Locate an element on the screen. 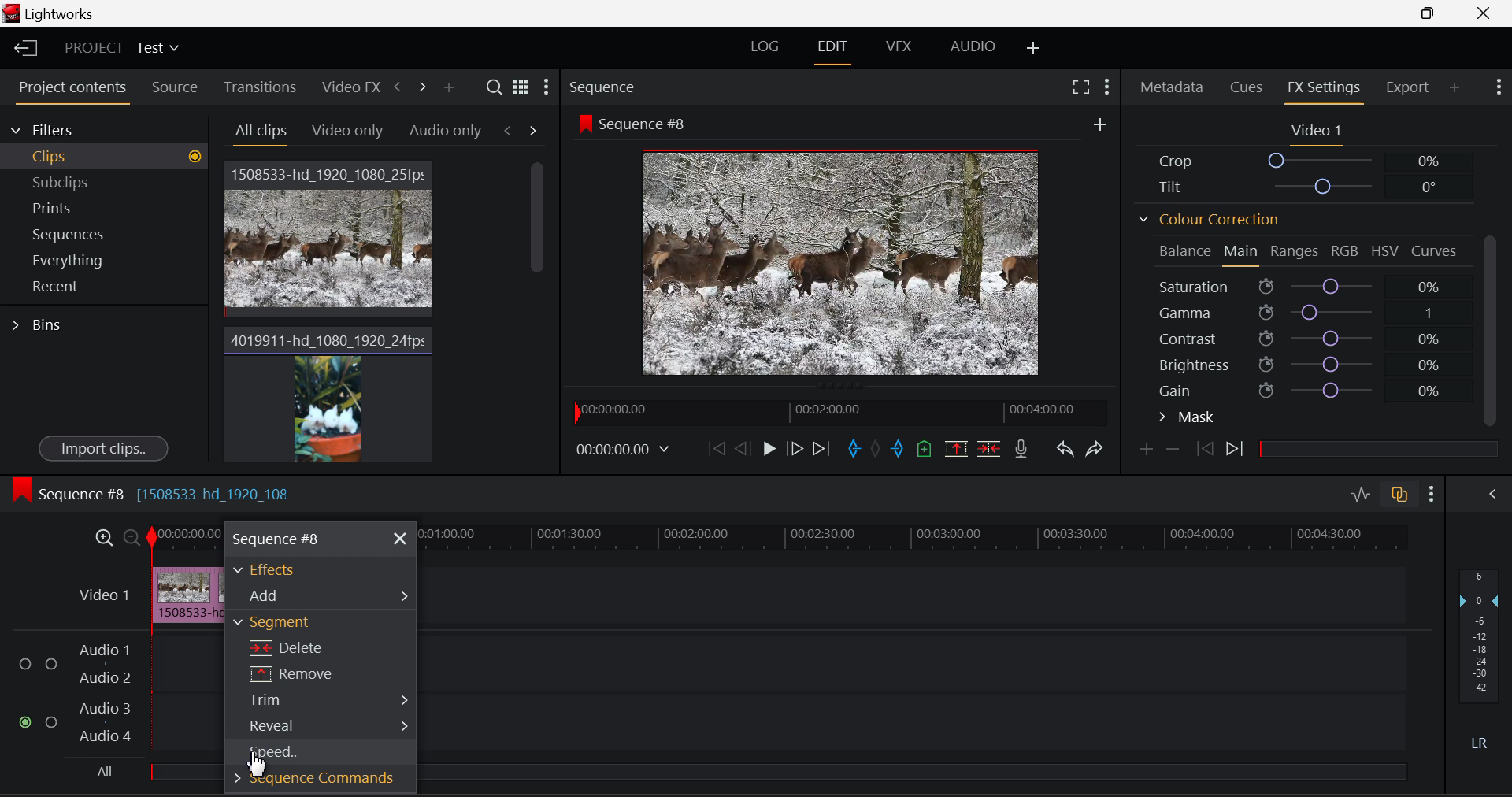 This screenshot has width=1512, height=797. Audio Input Checkbox is located at coordinates (51, 723).